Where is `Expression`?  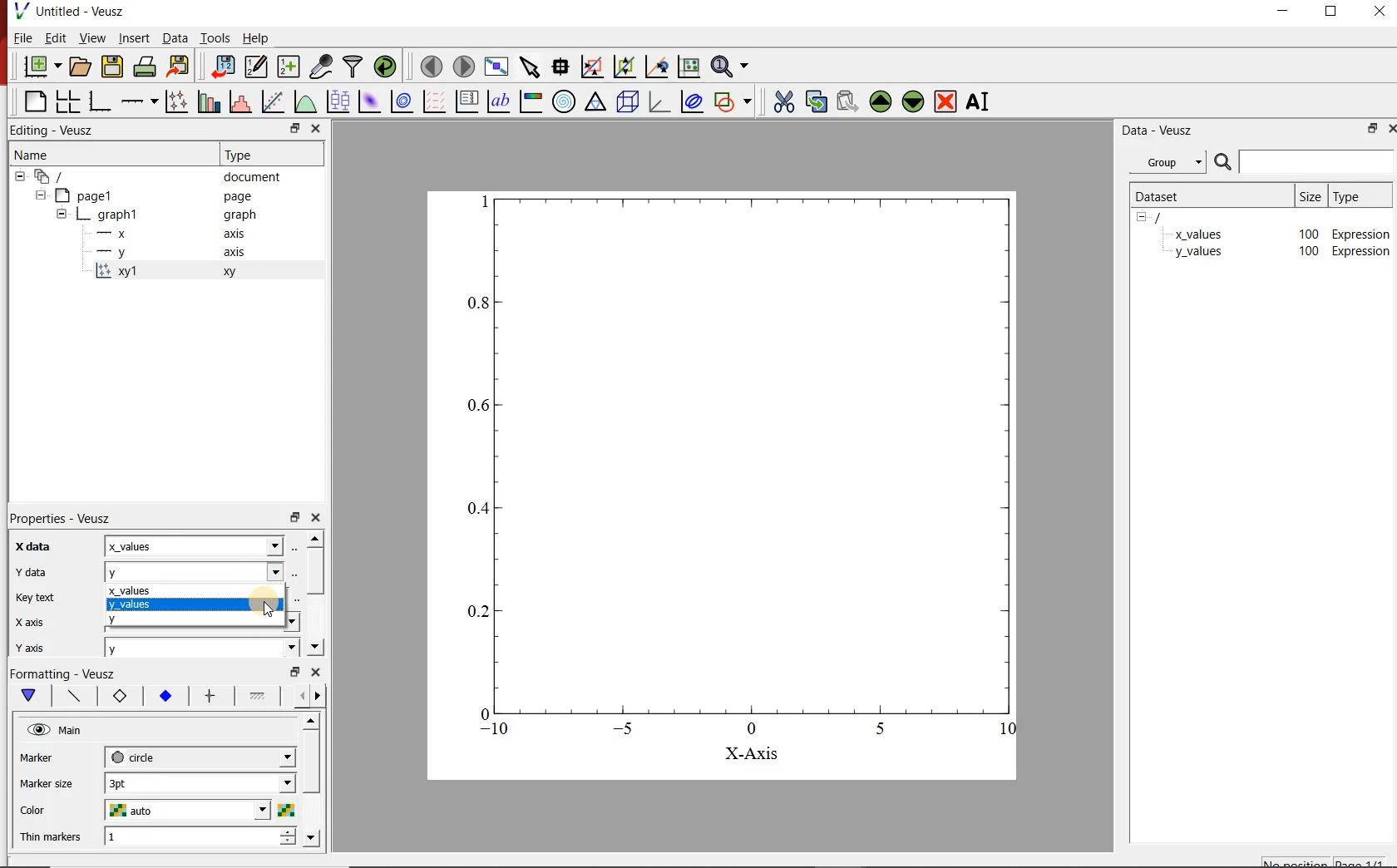
Expression is located at coordinates (1361, 252).